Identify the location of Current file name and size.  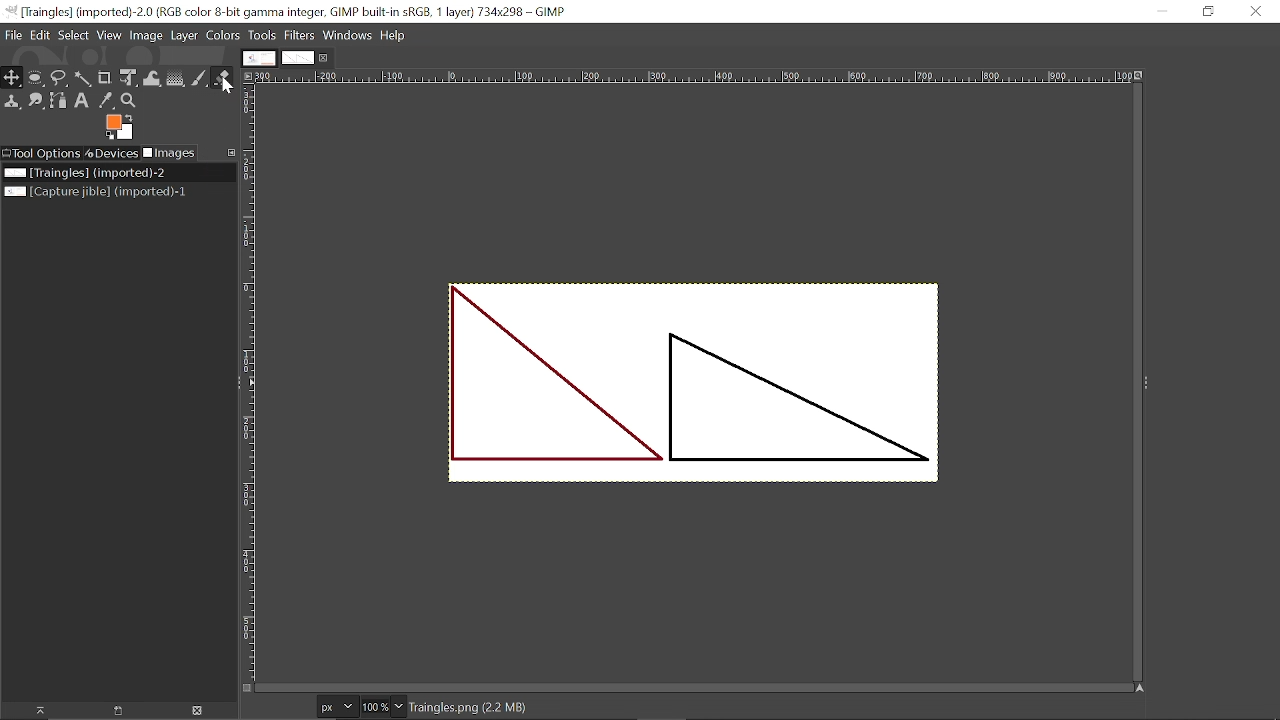
(473, 707).